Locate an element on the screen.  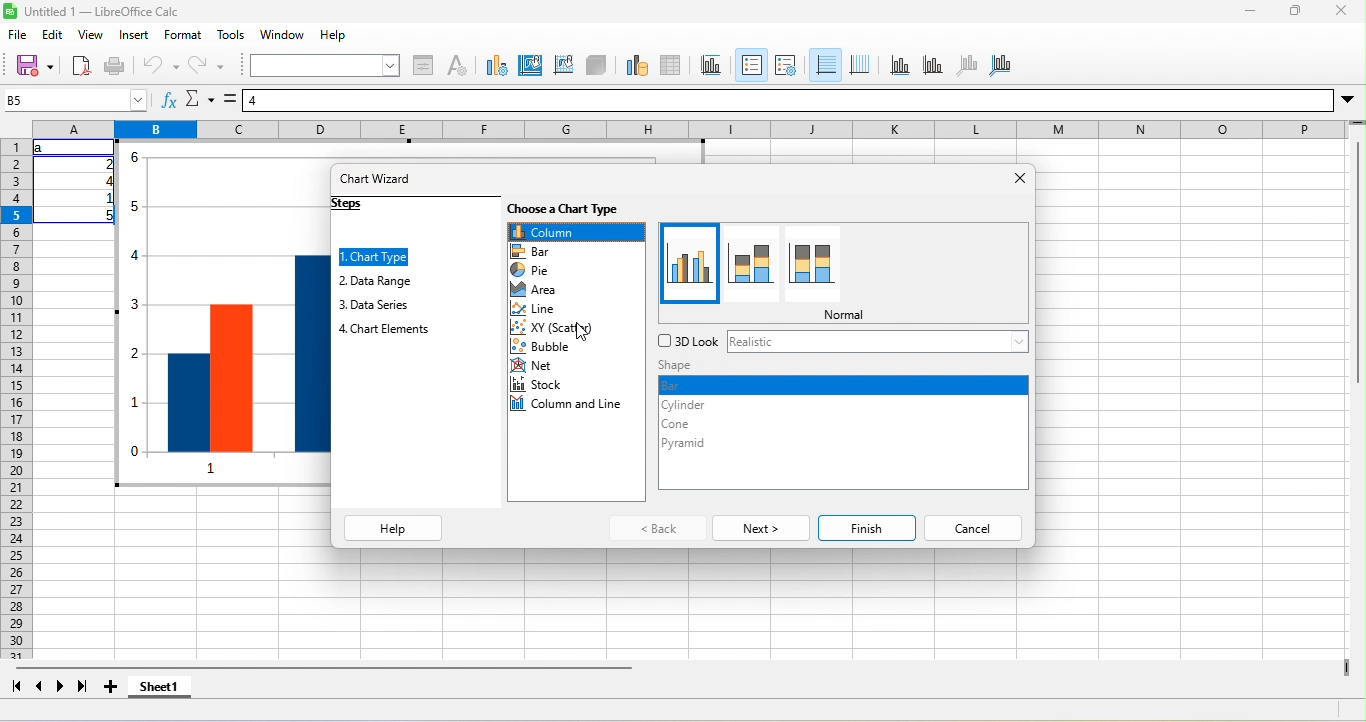
4 is located at coordinates (106, 181).